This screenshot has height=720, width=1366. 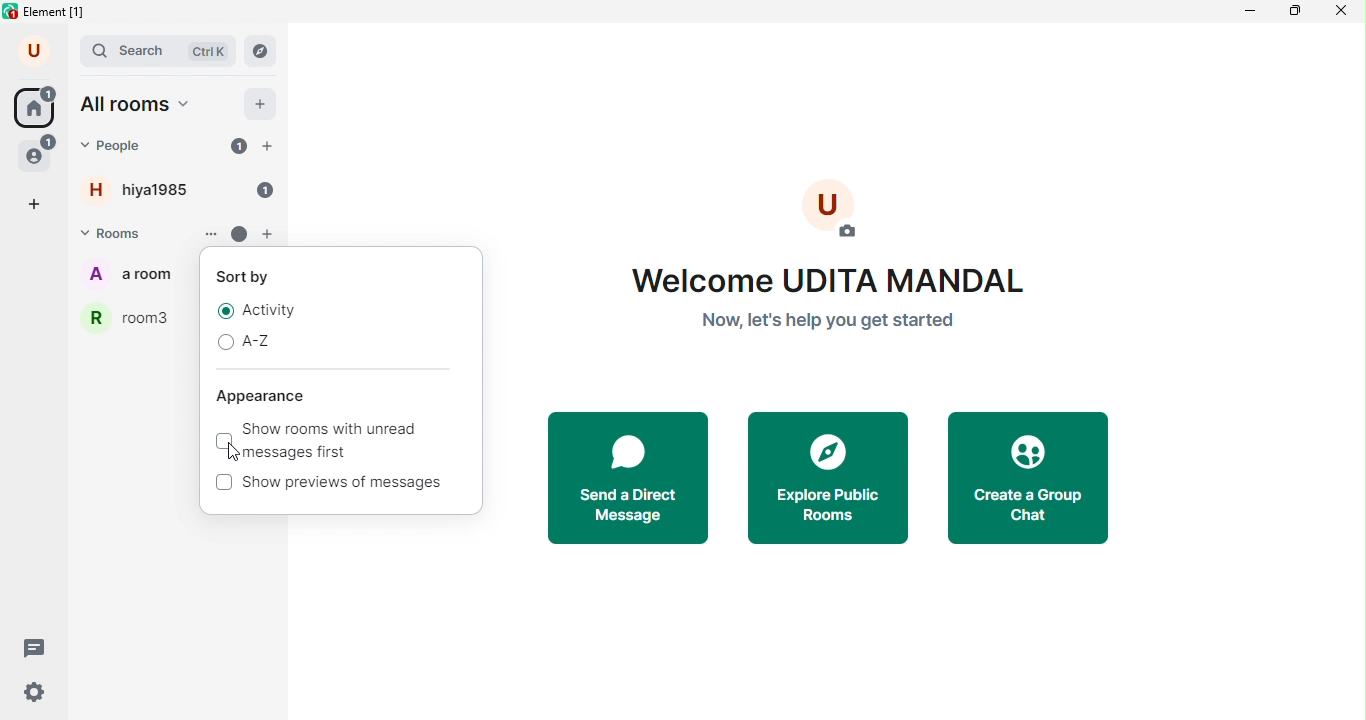 What do you see at coordinates (262, 50) in the screenshot?
I see `navigator` at bounding box center [262, 50].